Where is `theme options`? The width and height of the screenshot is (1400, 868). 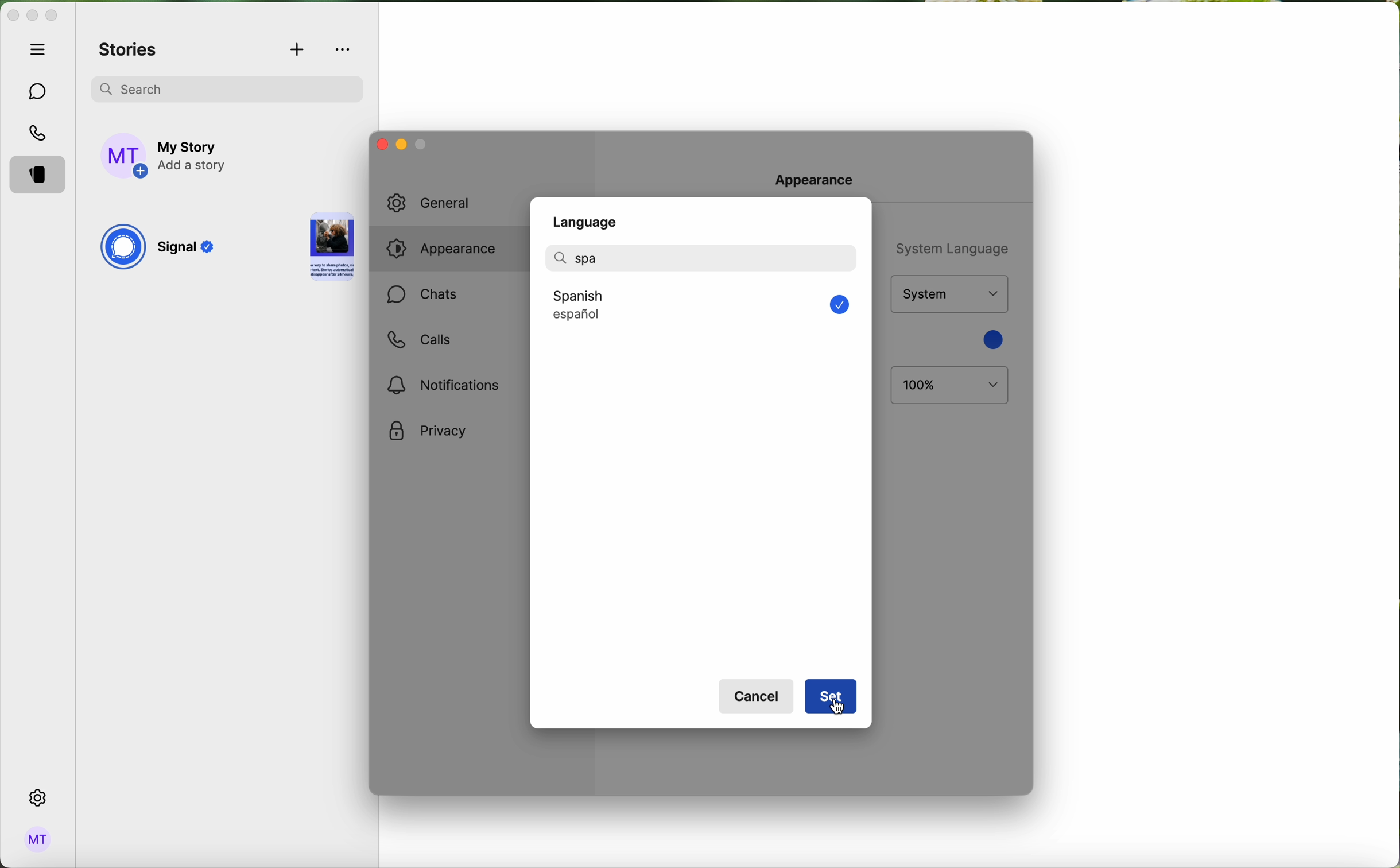
theme options is located at coordinates (948, 294).